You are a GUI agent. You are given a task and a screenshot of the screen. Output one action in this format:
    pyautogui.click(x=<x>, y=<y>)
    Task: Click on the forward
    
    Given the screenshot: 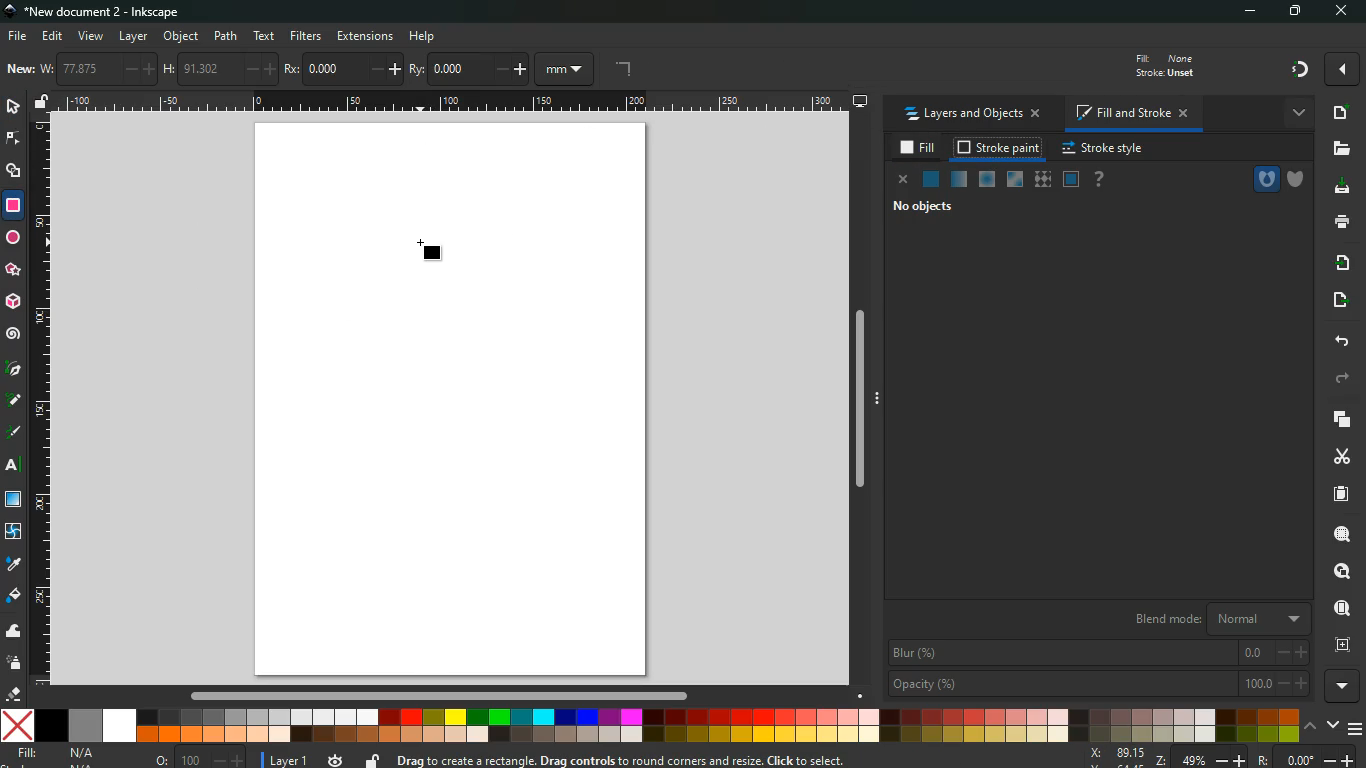 What is the action you would take?
    pyautogui.click(x=1346, y=378)
    